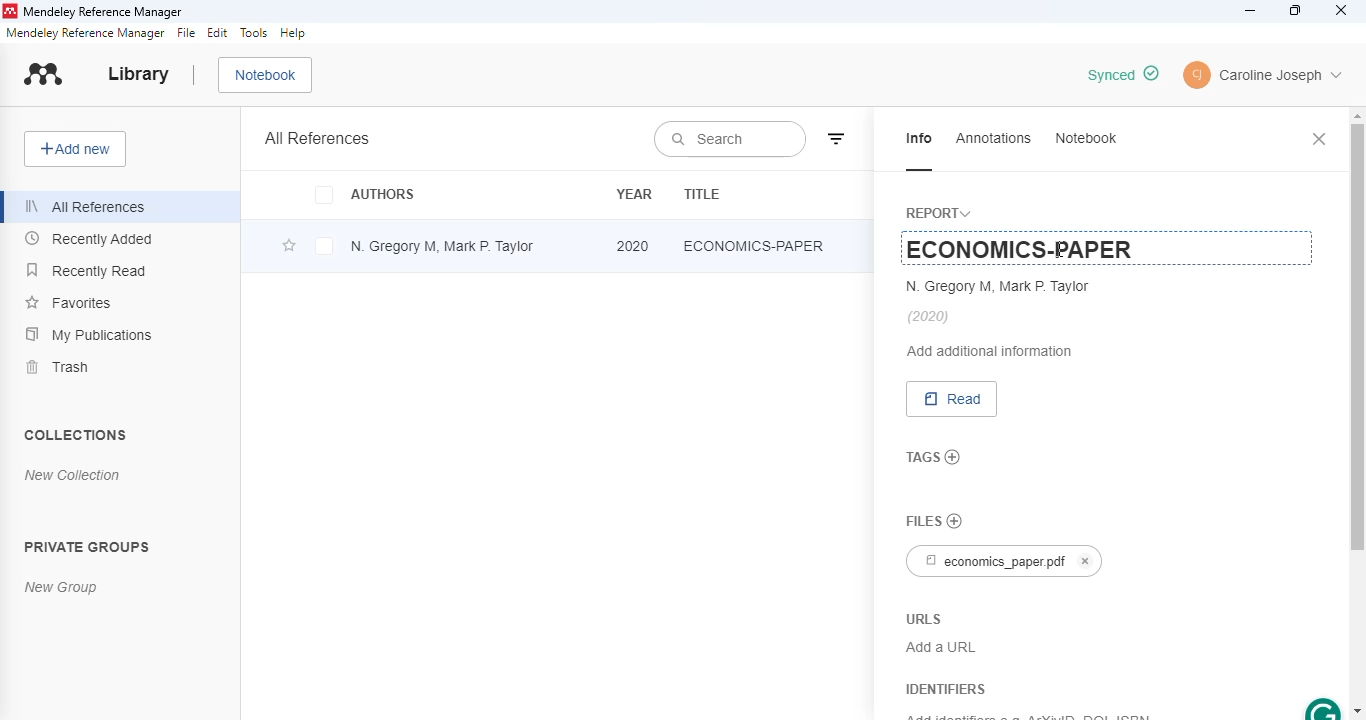  What do you see at coordinates (86, 207) in the screenshot?
I see `all references` at bounding box center [86, 207].